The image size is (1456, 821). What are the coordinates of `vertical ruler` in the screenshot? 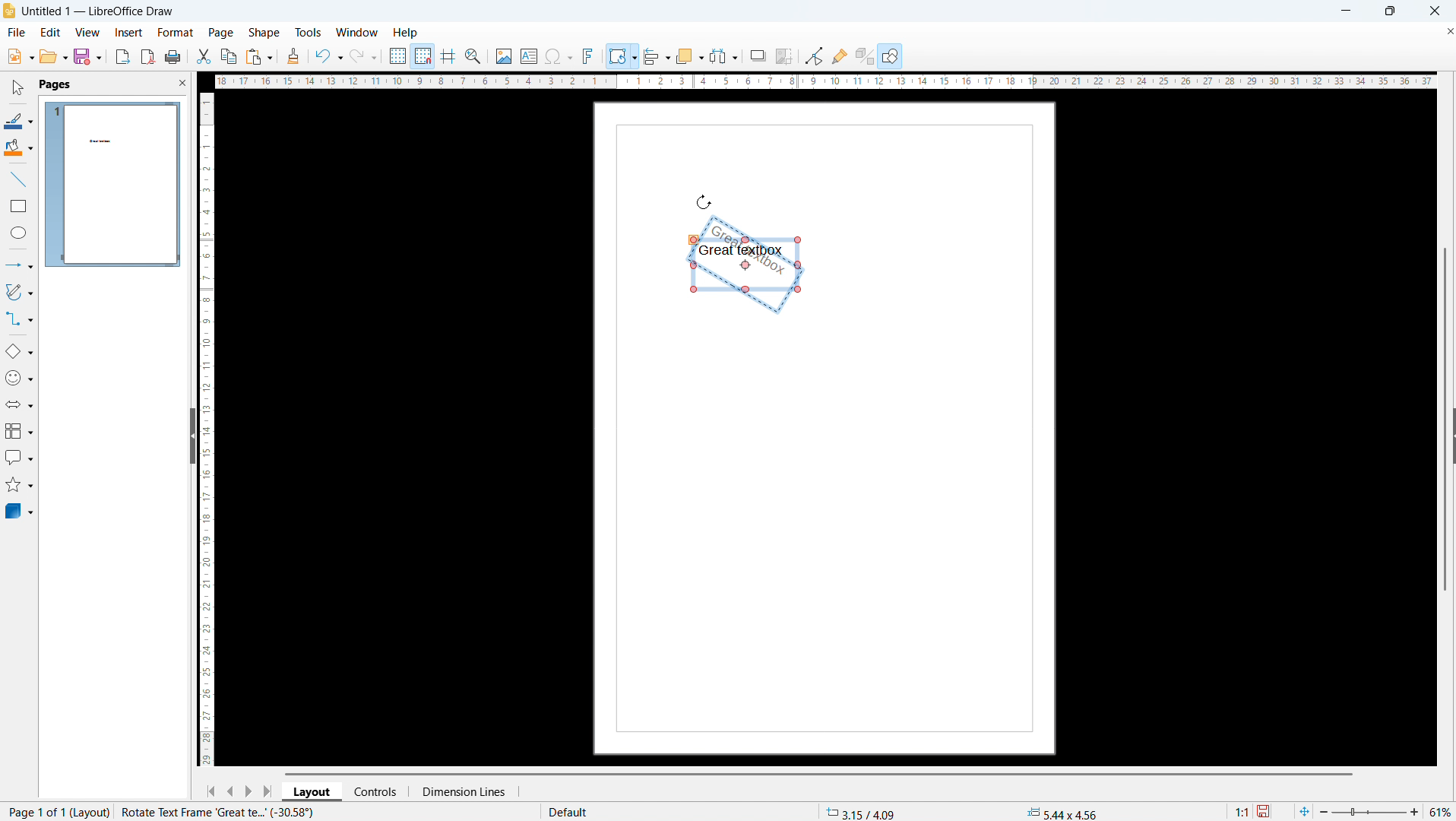 It's located at (207, 428).